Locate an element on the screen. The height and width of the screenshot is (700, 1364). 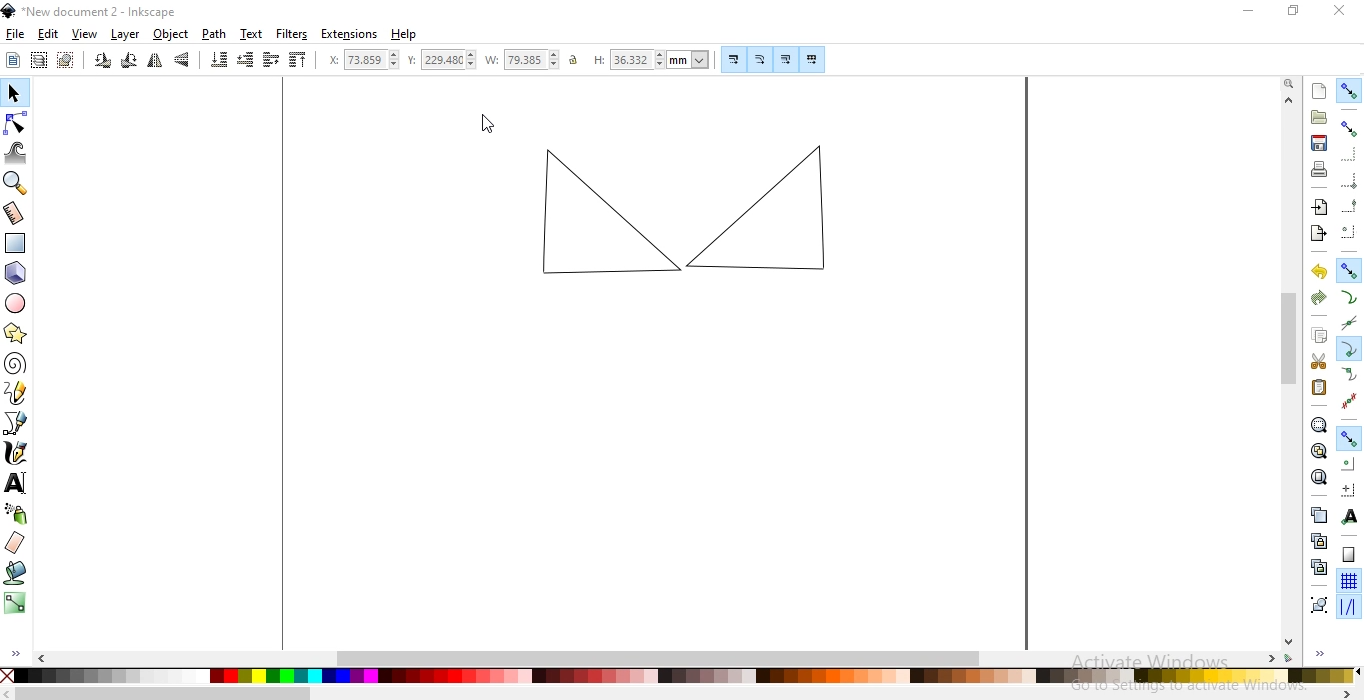
objects is located at coordinates (173, 34).